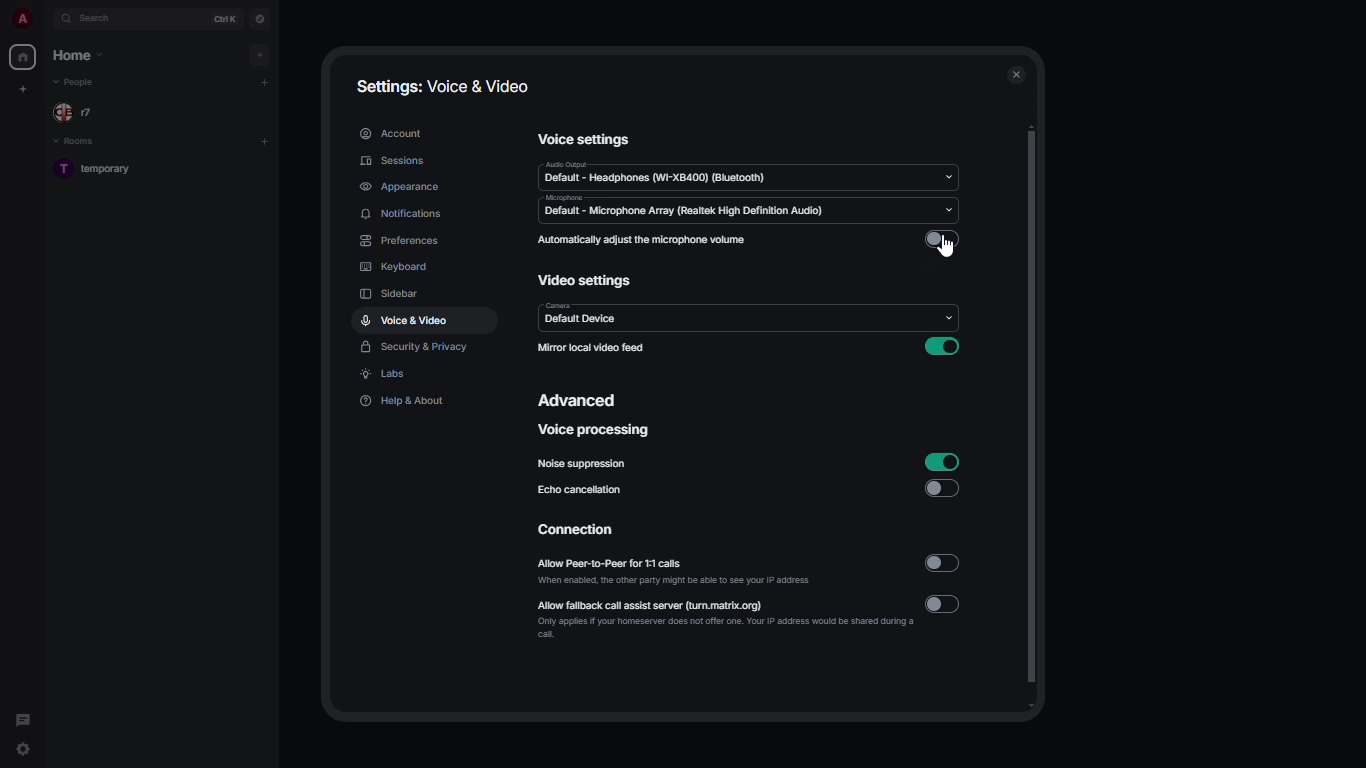  I want to click on create new space, so click(24, 88).